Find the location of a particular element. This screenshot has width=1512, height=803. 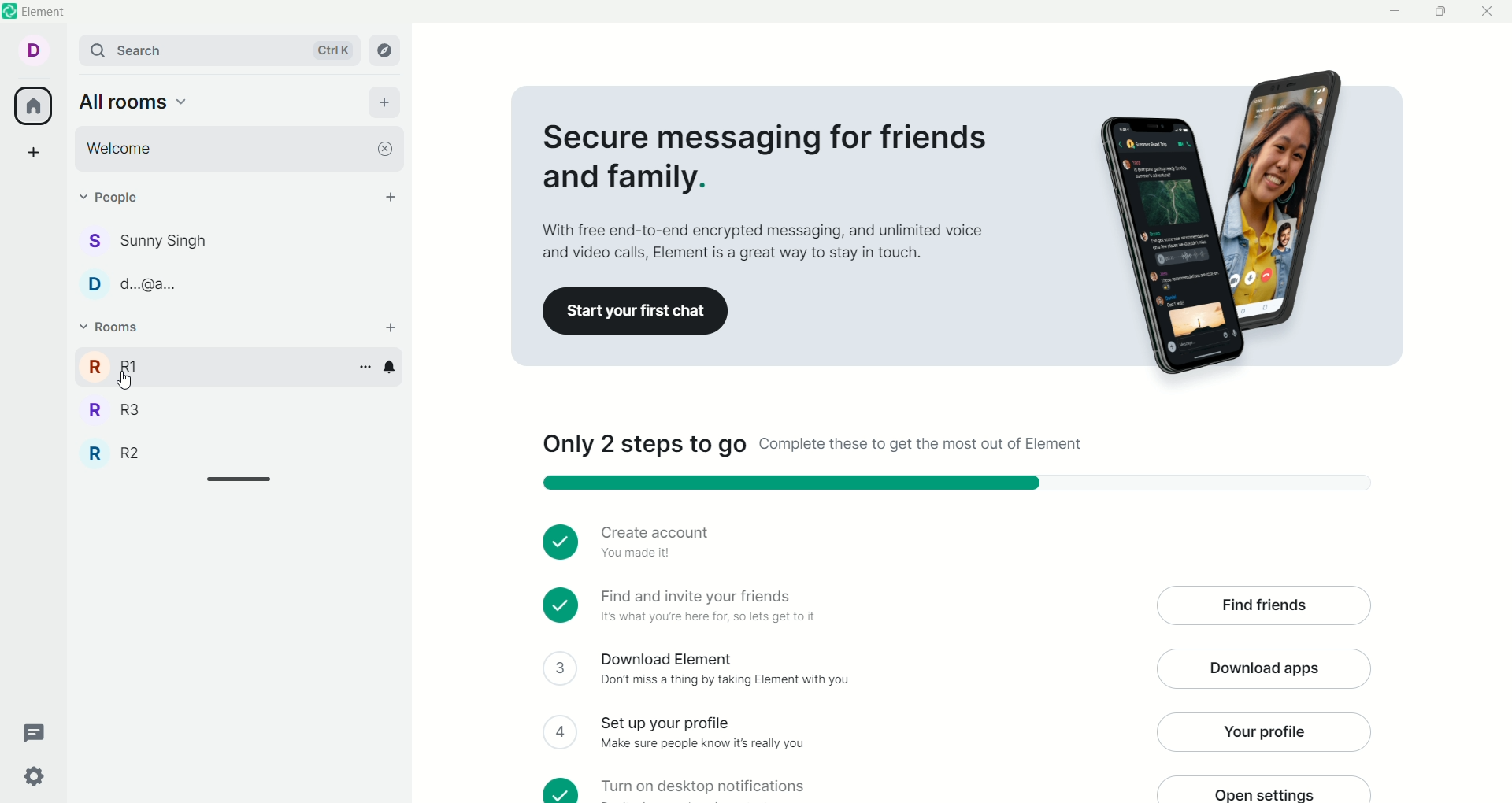

add is located at coordinates (391, 327).